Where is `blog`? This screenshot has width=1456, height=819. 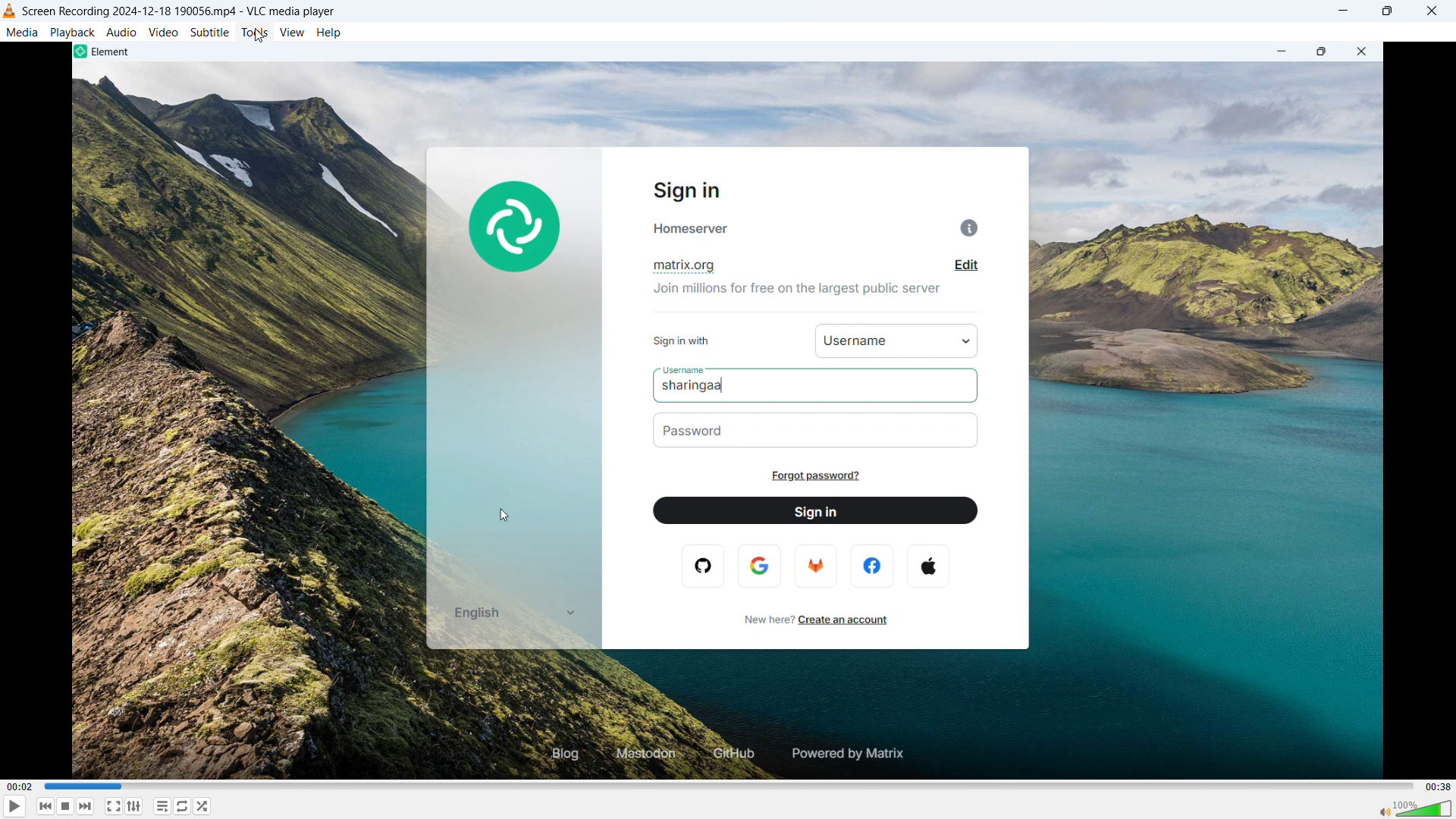
blog is located at coordinates (570, 758).